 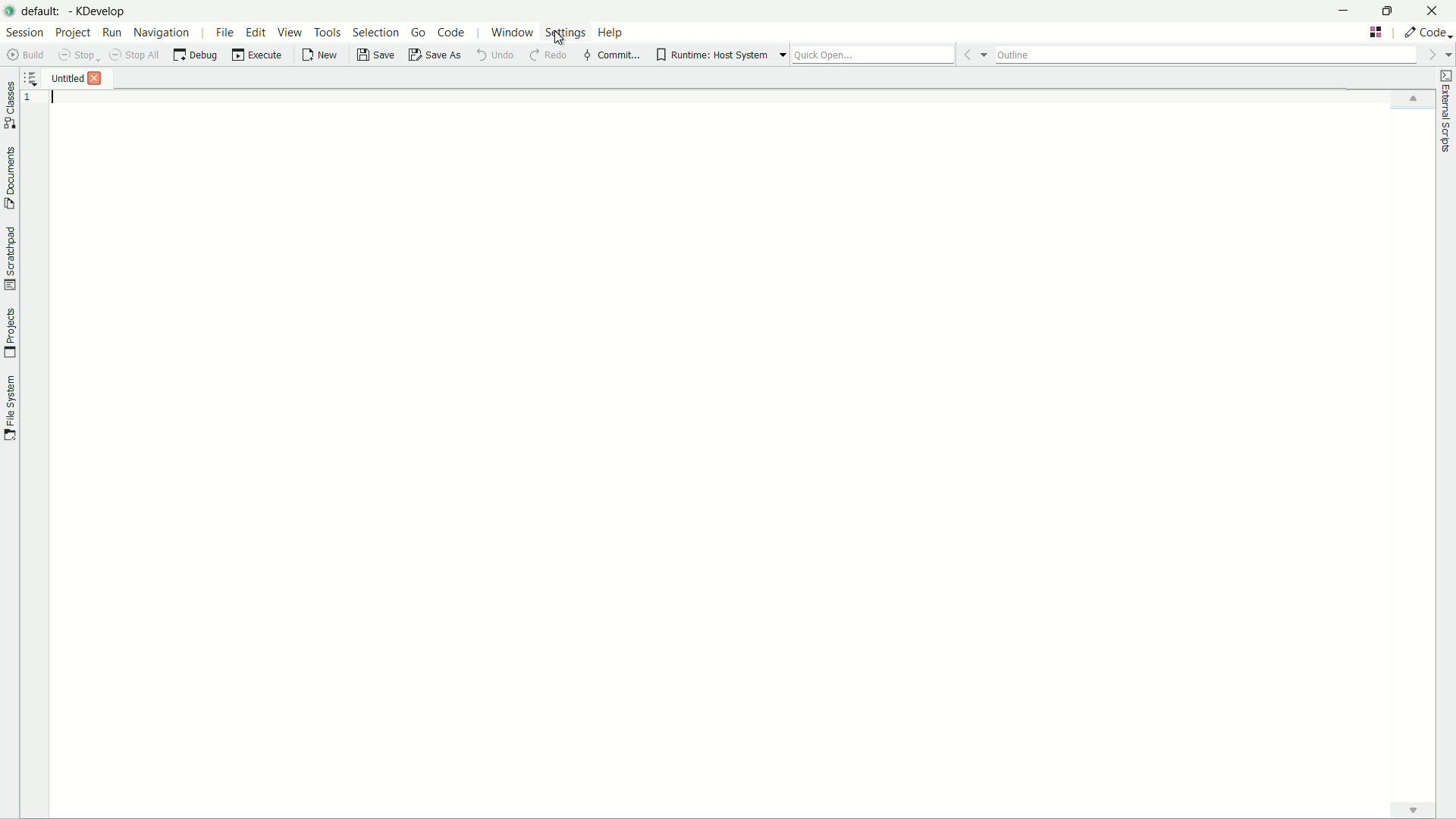 I want to click on toggle classes, so click(x=10, y=106).